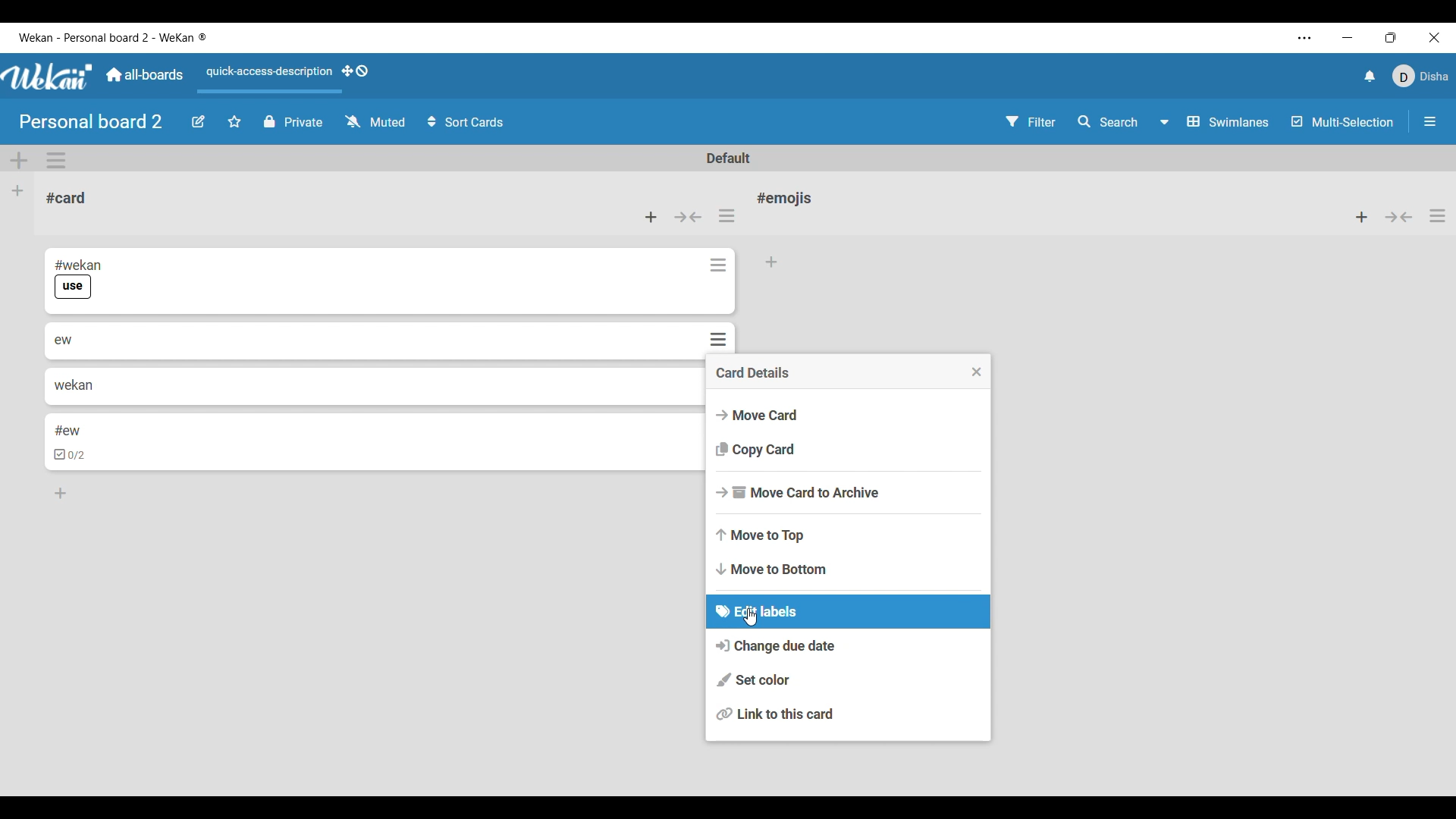 This screenshot has height=819, width=1456. What do you see at coordinates (726, 215) in the screenshot?
I see `List actions` at bounding box center [726, 215].